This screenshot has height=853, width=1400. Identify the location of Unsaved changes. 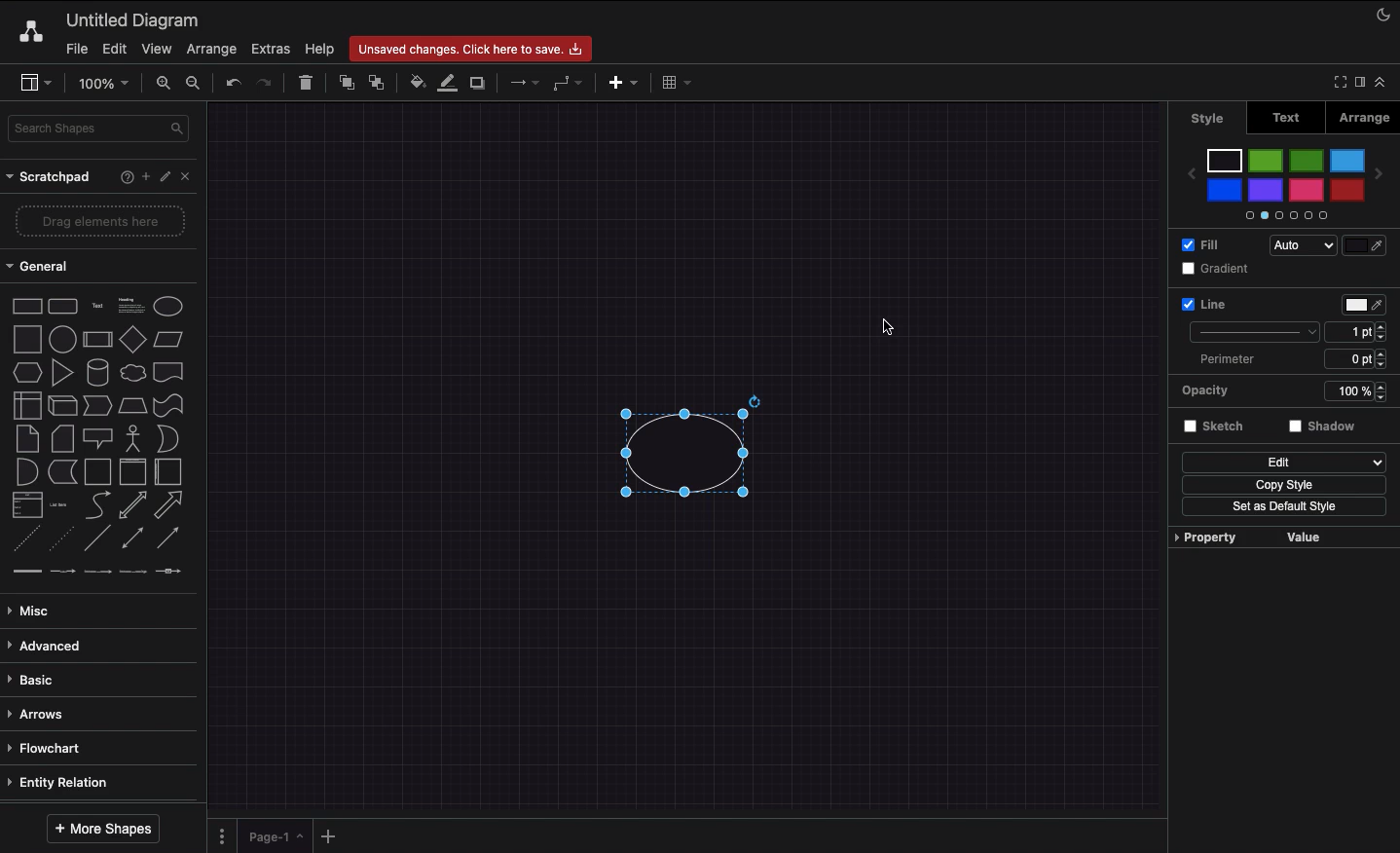
(473, 46).